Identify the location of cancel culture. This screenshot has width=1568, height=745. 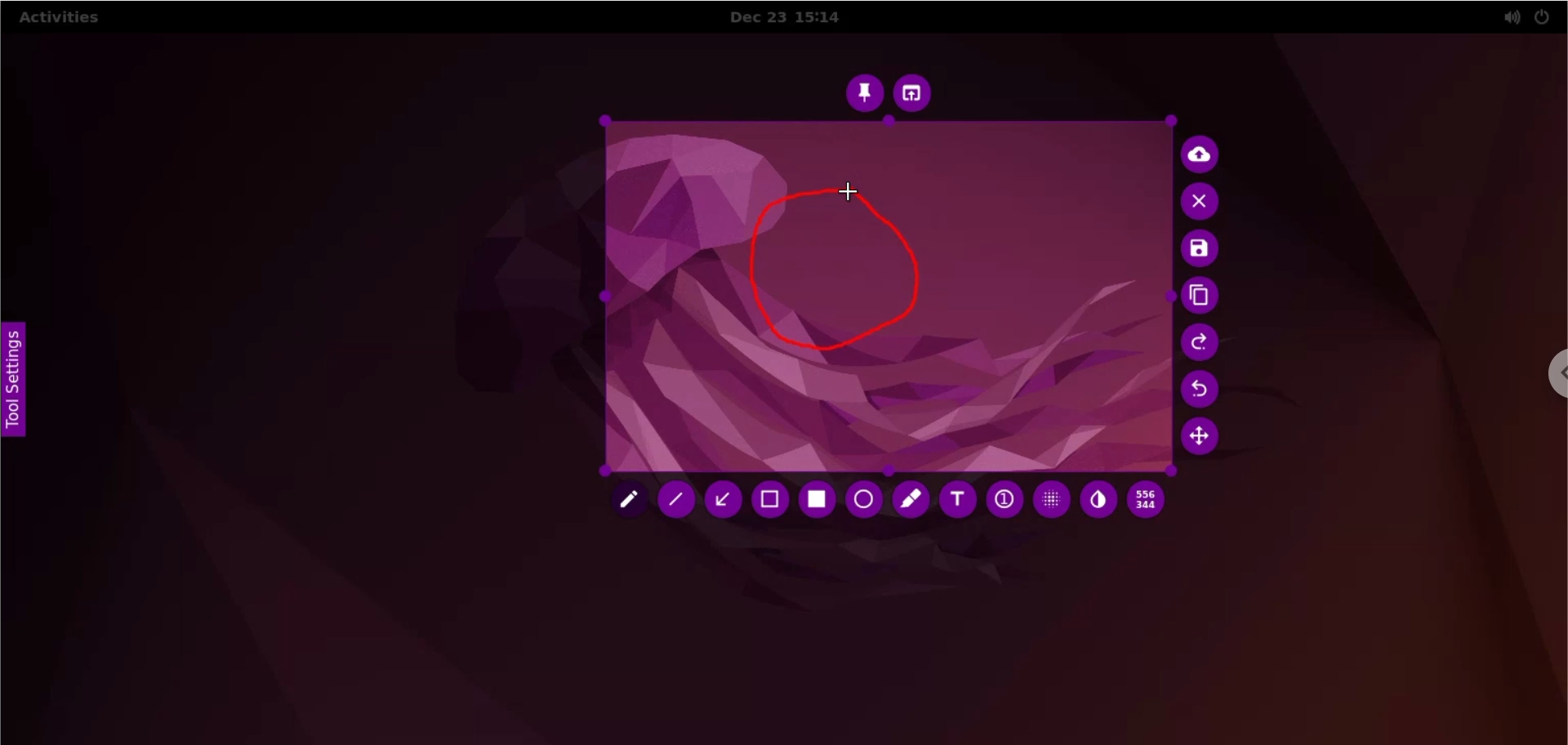
(1203, 203).